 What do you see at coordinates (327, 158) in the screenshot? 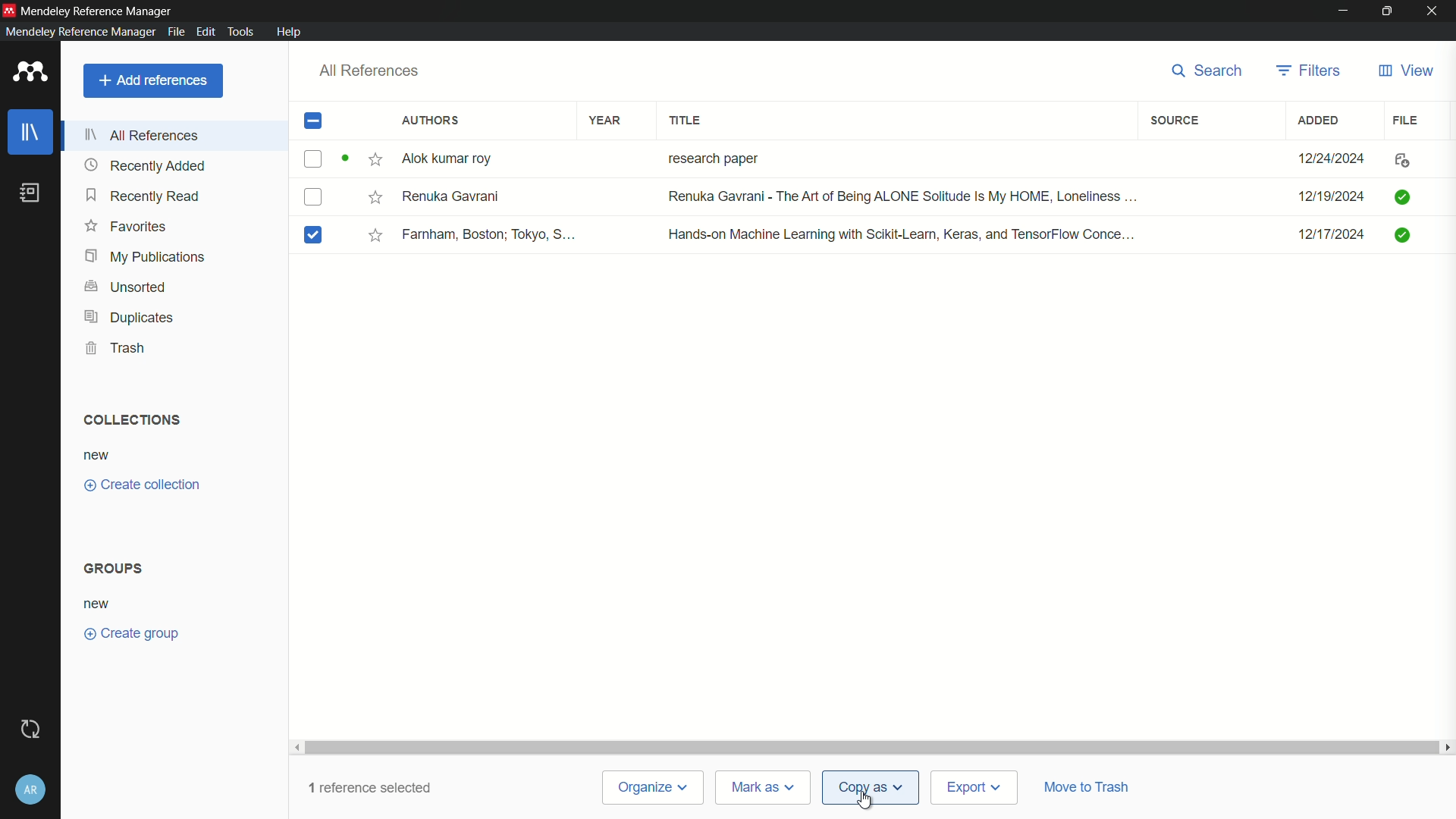
I see `Checkbox` at bounding box center [327, 158].